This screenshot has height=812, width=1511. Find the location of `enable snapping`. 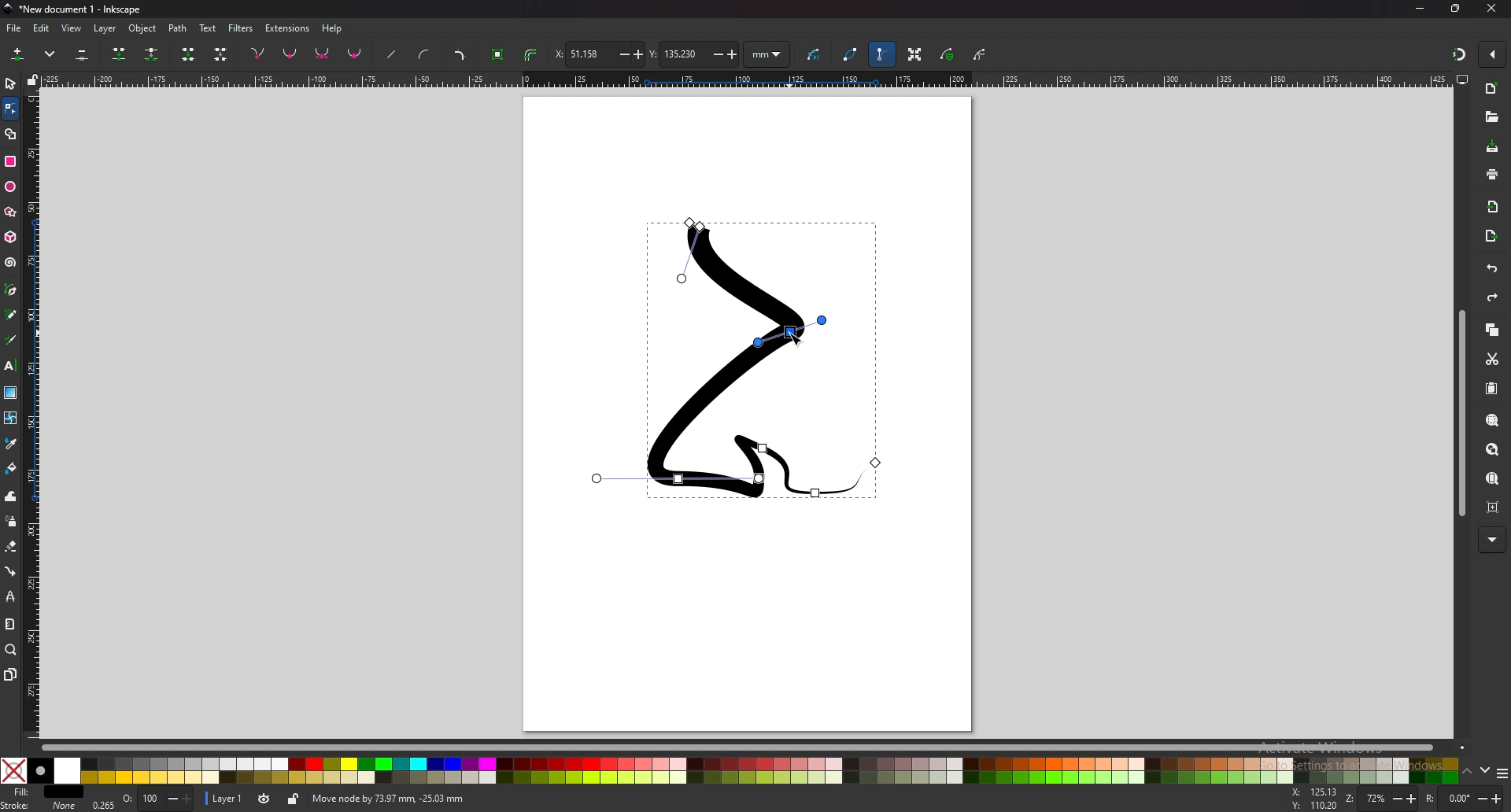

enable snapping is located at coordinates (1494, 54).